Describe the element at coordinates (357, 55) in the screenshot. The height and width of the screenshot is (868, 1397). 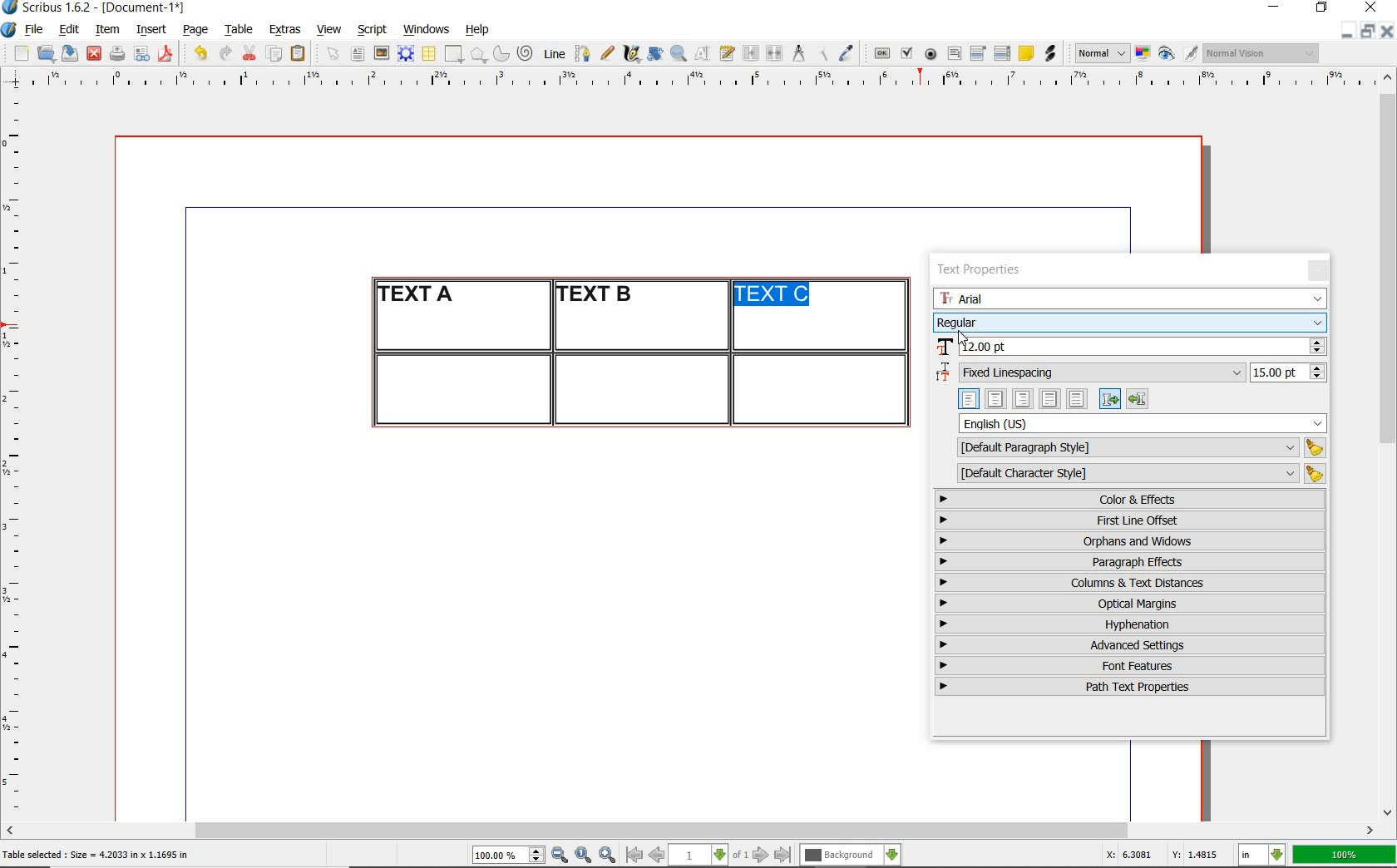
I see `text frame` at that location.